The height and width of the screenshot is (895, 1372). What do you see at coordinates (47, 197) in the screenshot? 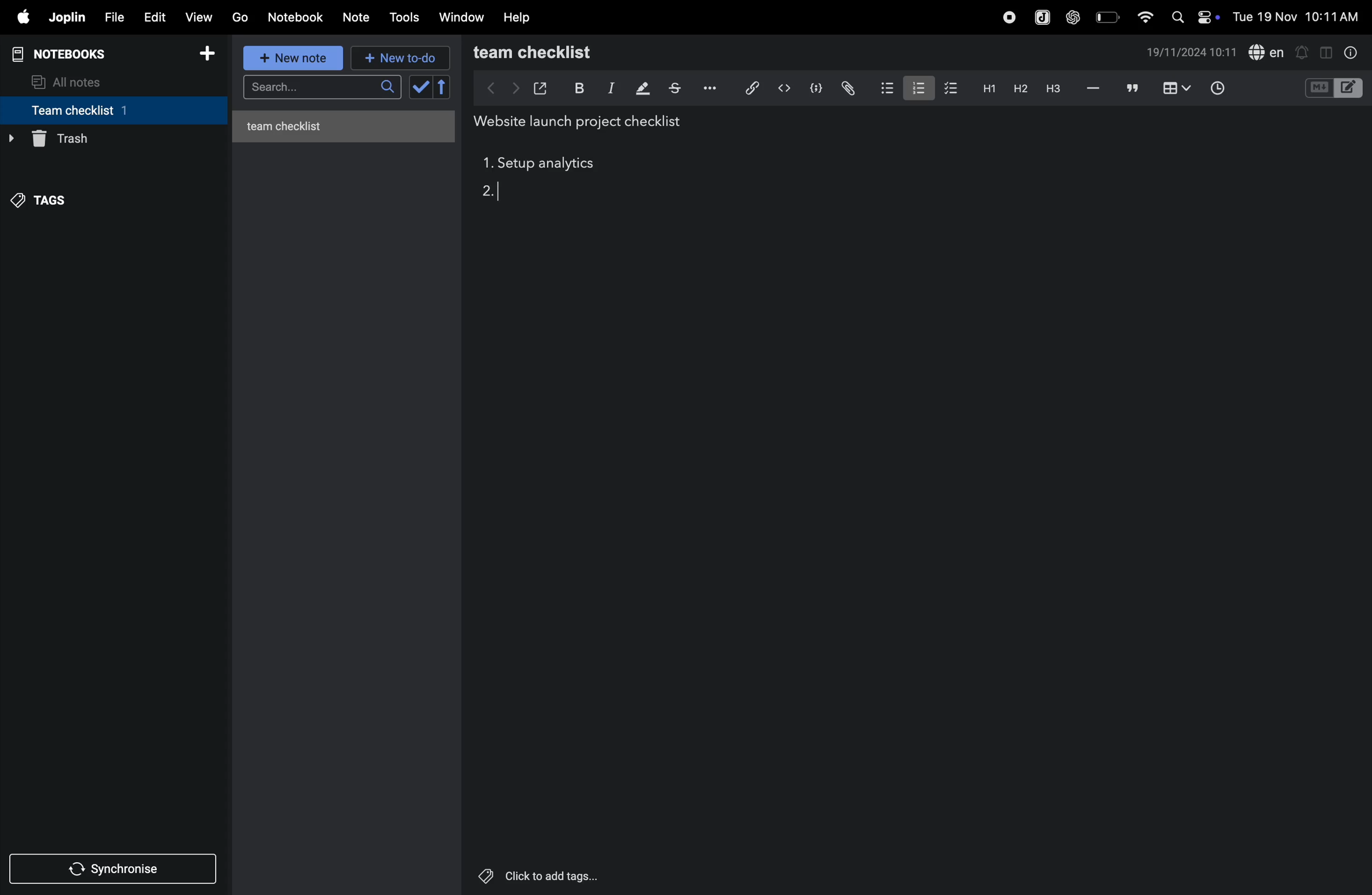
I see `tags` at bounding box center [47, 197].